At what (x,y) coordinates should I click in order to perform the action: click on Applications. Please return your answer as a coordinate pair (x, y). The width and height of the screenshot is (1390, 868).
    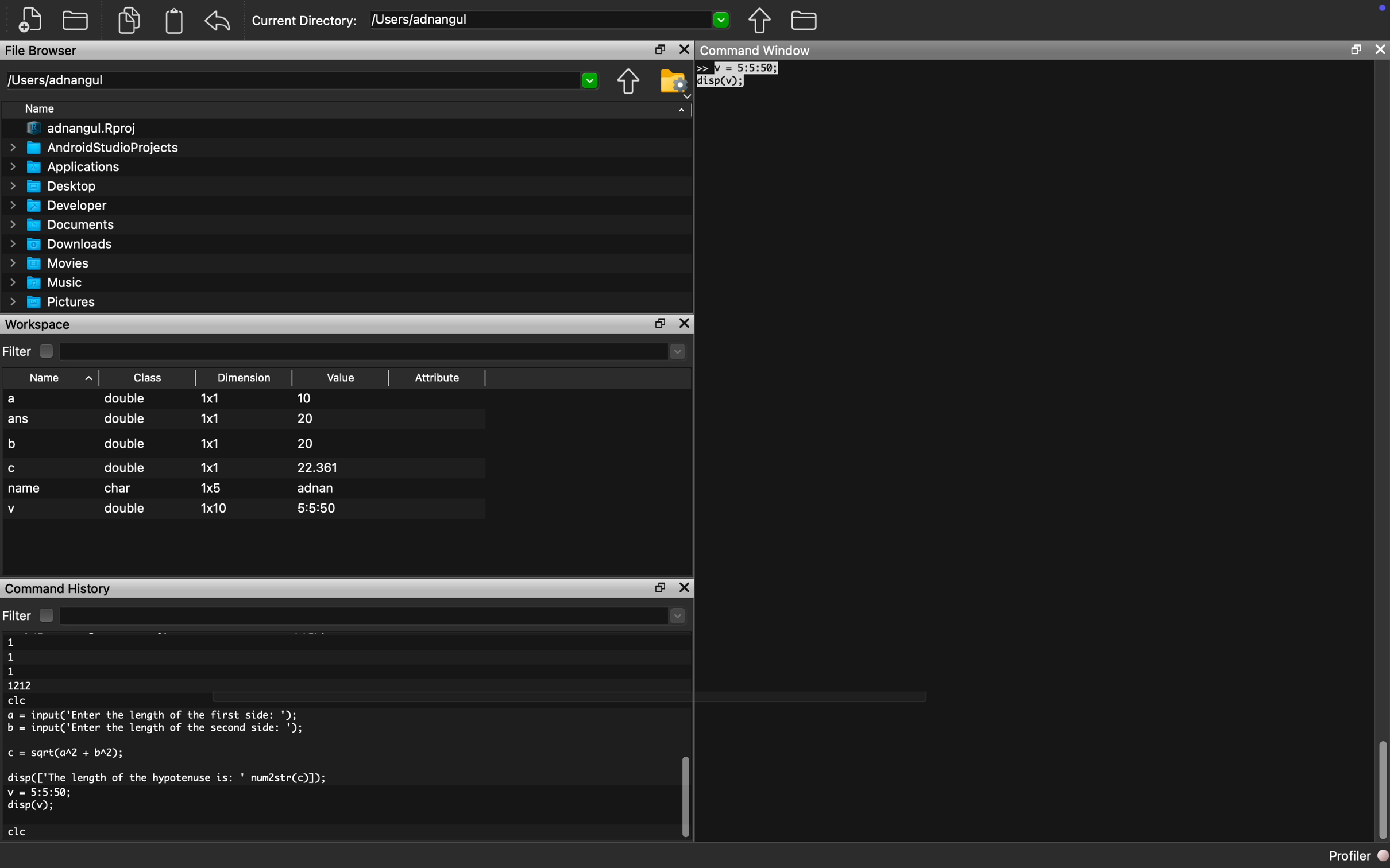
    Looking at the image, I should click on (65, 167).